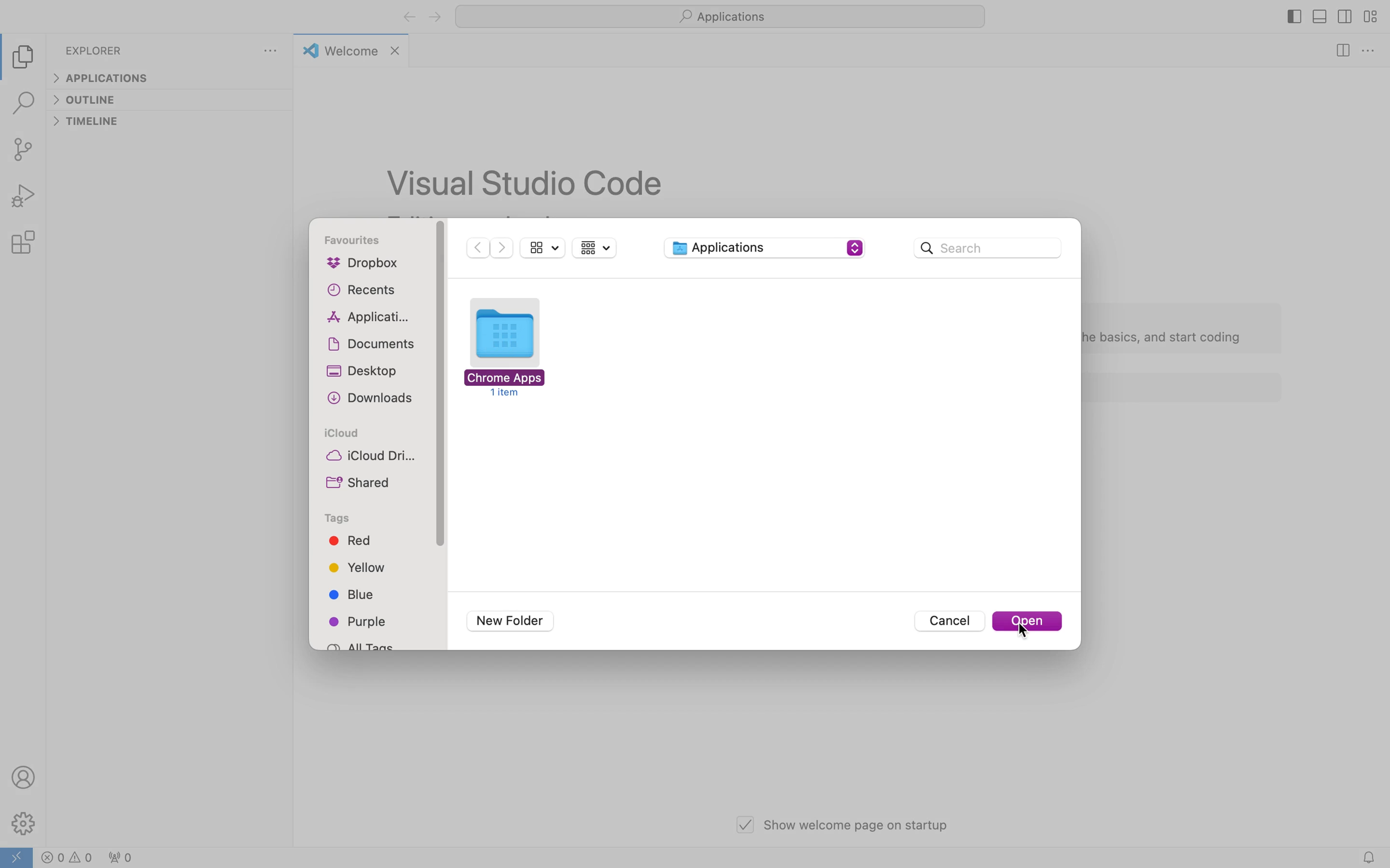 The image size is (1390, 868). What do you see at coordinates (27, 241) in the screenshot?
I see `extension` at bounding box center [27, 241].